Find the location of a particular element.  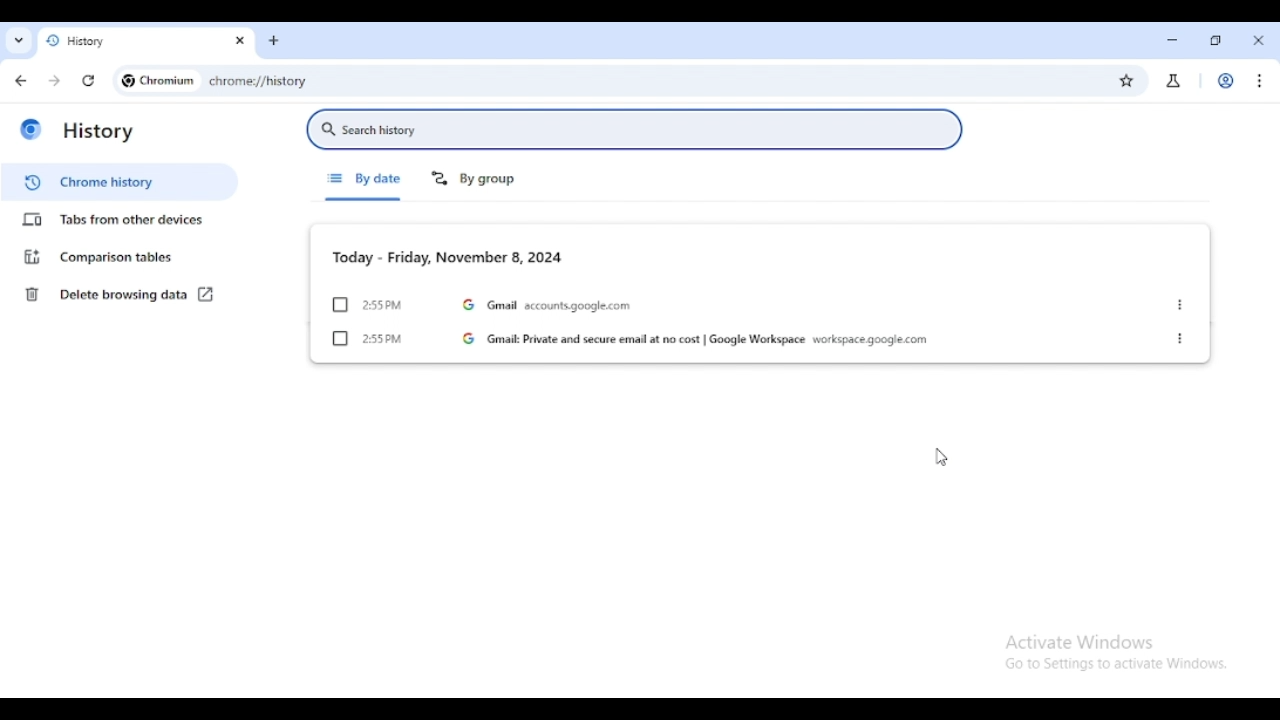

delete browsing history is located at coordinates (103, 294).